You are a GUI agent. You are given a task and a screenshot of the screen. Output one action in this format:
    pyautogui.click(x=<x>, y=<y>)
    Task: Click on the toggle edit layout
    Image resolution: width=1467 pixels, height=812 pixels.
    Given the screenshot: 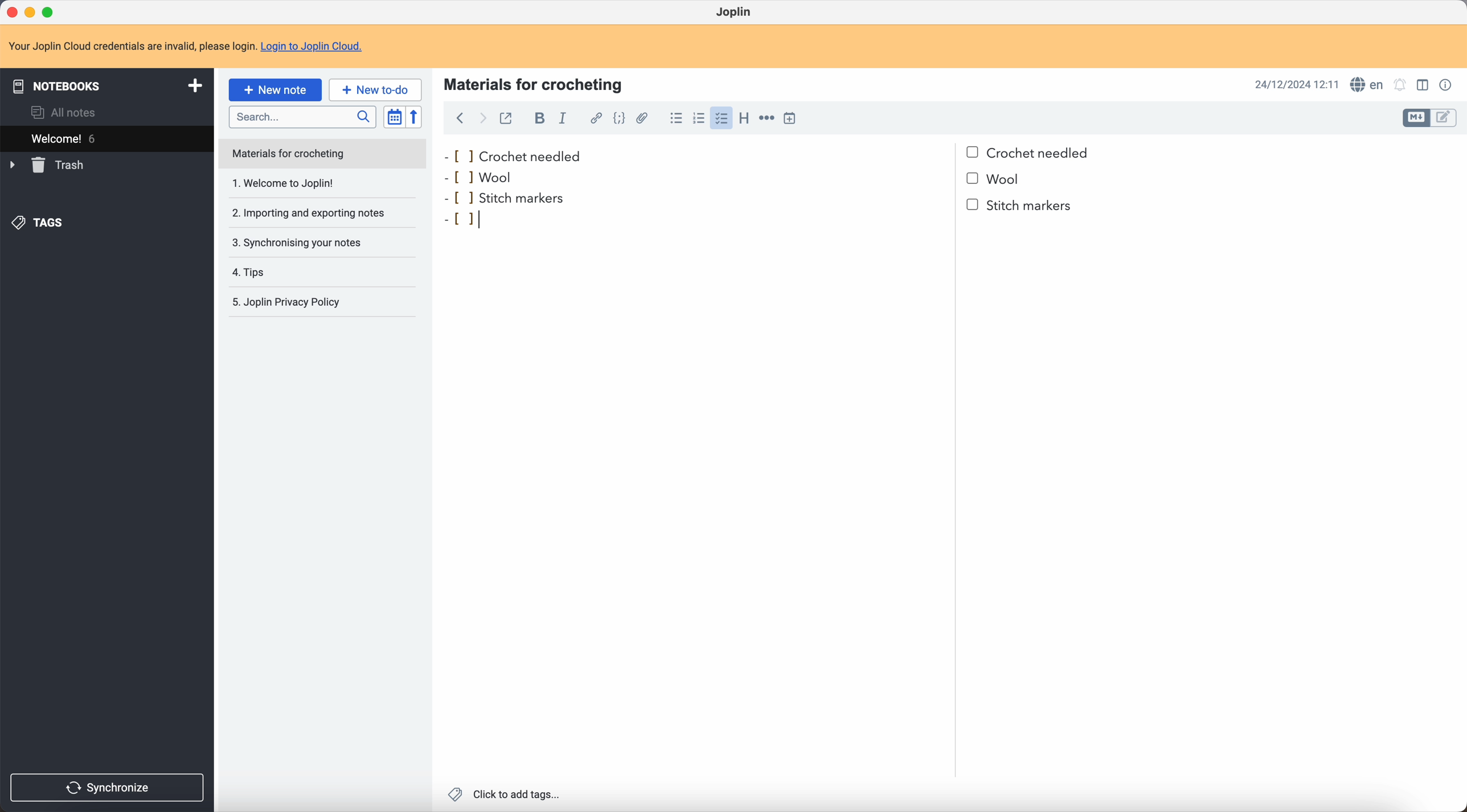 What is the action you would take?
    pyautogui.click(x=1424, y=84)
    